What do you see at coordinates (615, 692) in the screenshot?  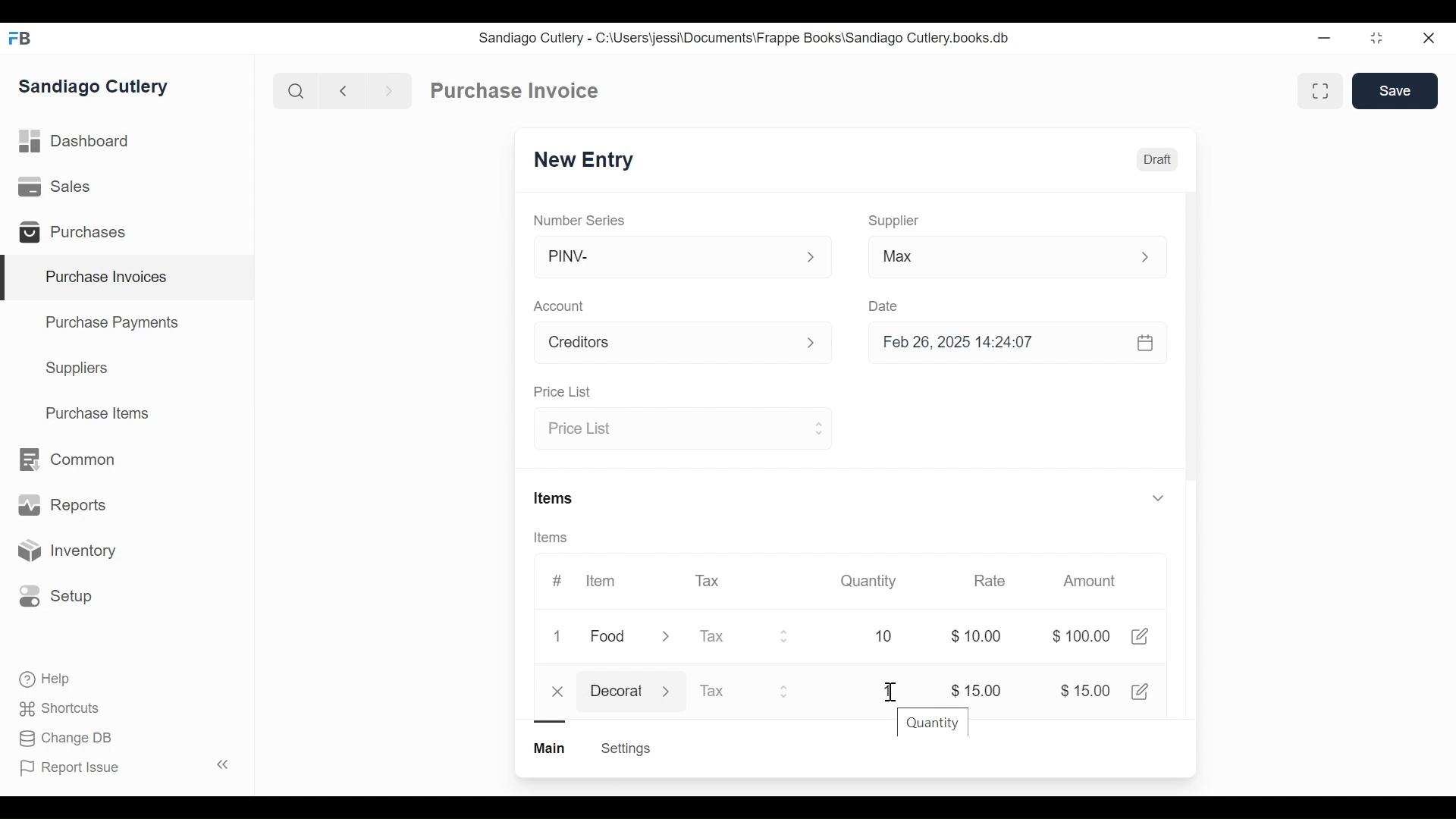 I see `Decorat` at bounding box center [615, 692].